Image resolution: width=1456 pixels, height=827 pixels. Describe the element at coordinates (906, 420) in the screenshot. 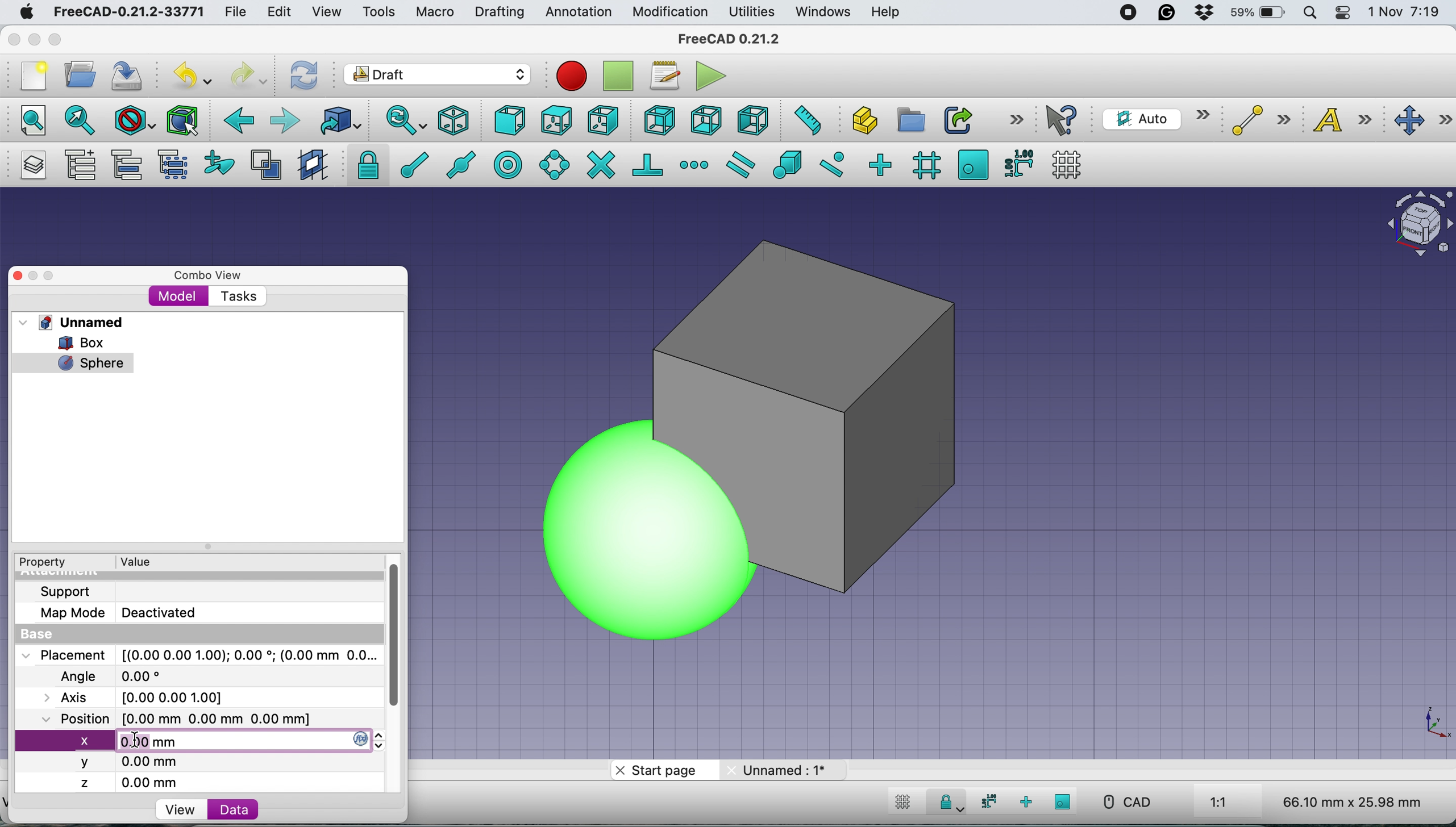

I see `box` at that location.